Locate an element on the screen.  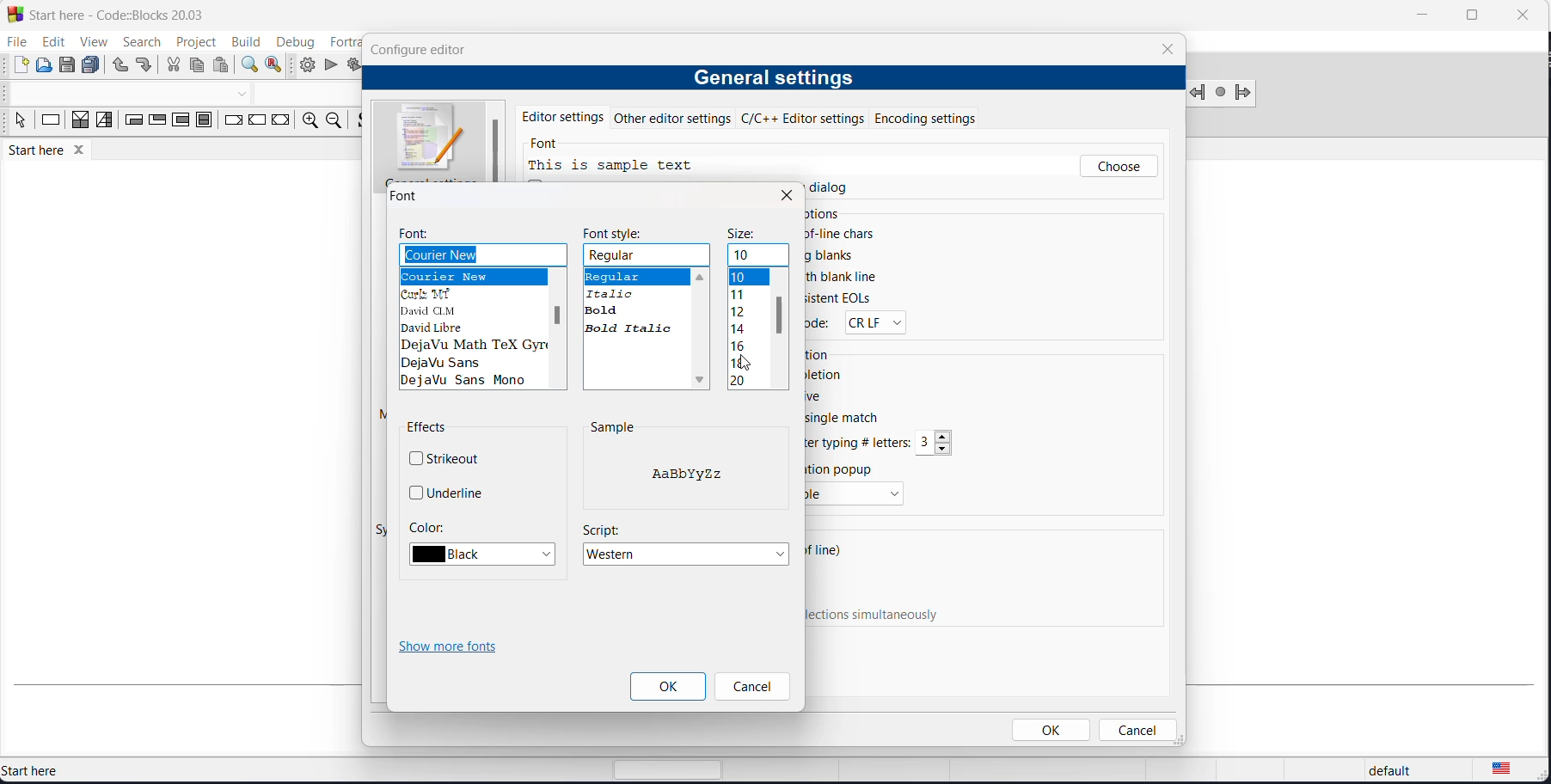
g blanks is located at coordinates (833, 255).